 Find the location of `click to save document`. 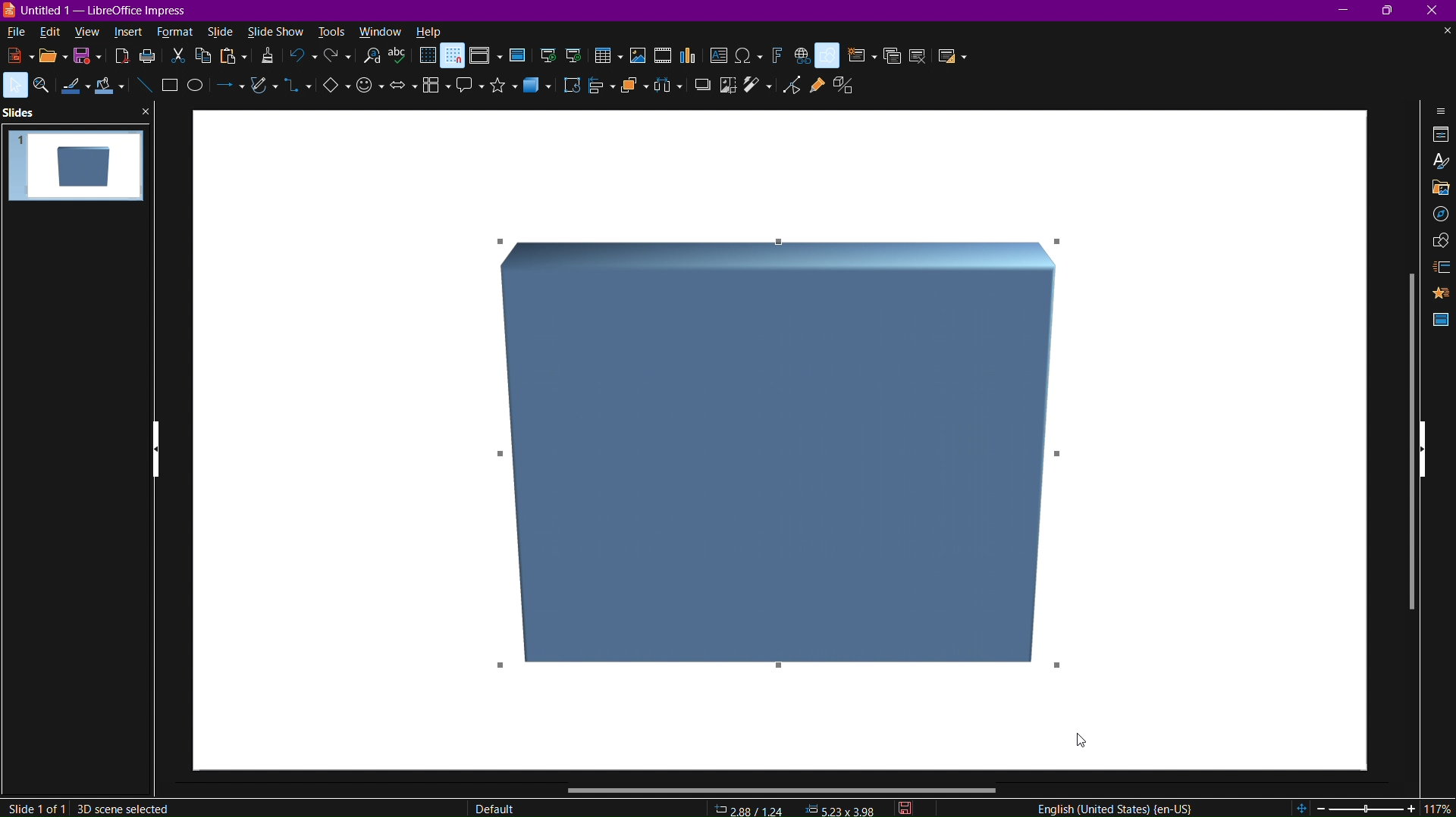

click to save document is located at coordinates (904, 808).